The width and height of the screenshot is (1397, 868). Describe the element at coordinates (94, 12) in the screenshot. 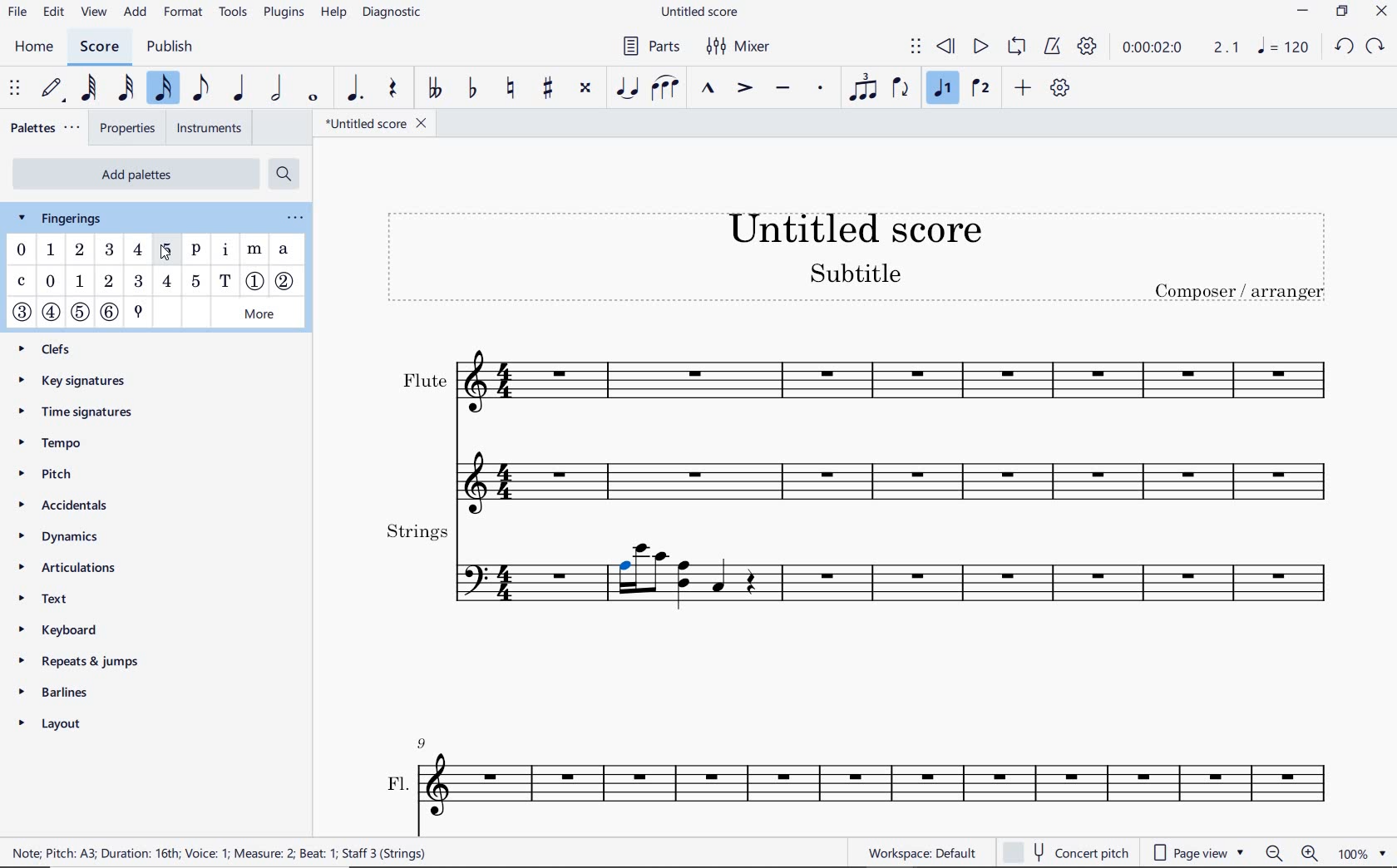

I see `view` at that location.